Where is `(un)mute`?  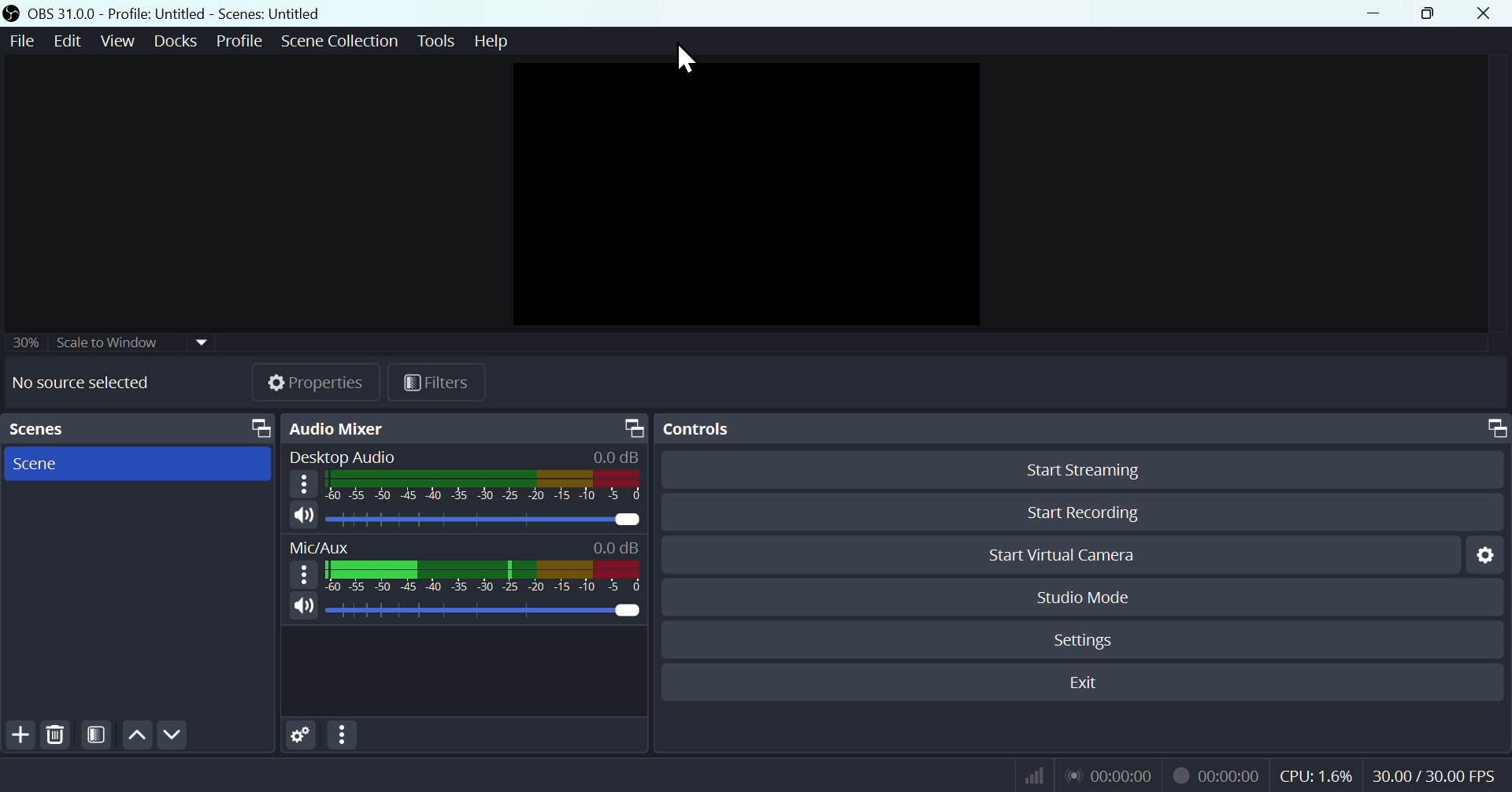
(un)mute is located at coordinates (305, 608).